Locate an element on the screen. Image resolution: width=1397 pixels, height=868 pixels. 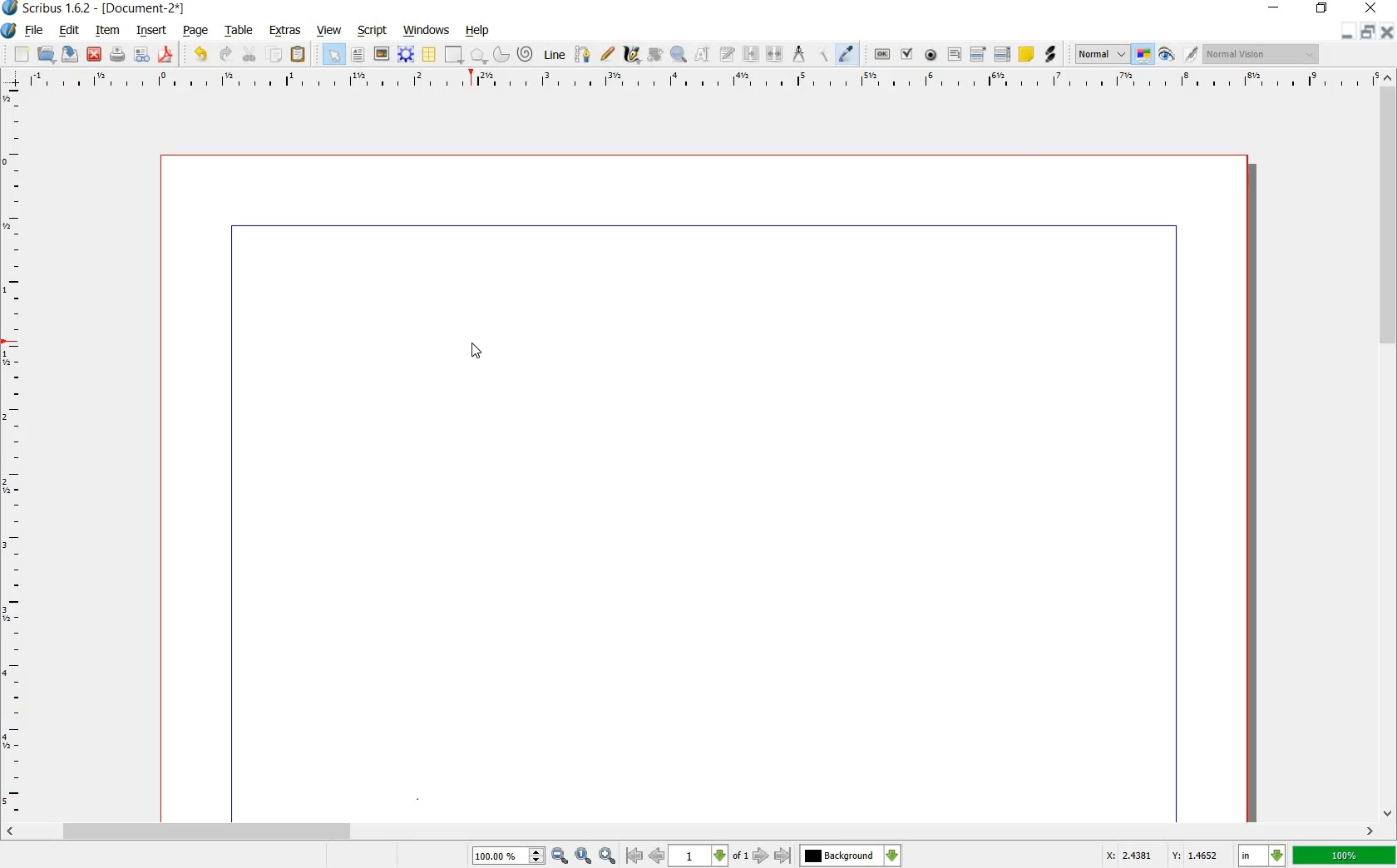
EDIT IN PREVIEW MODE is located at coordinates (1193, 54).